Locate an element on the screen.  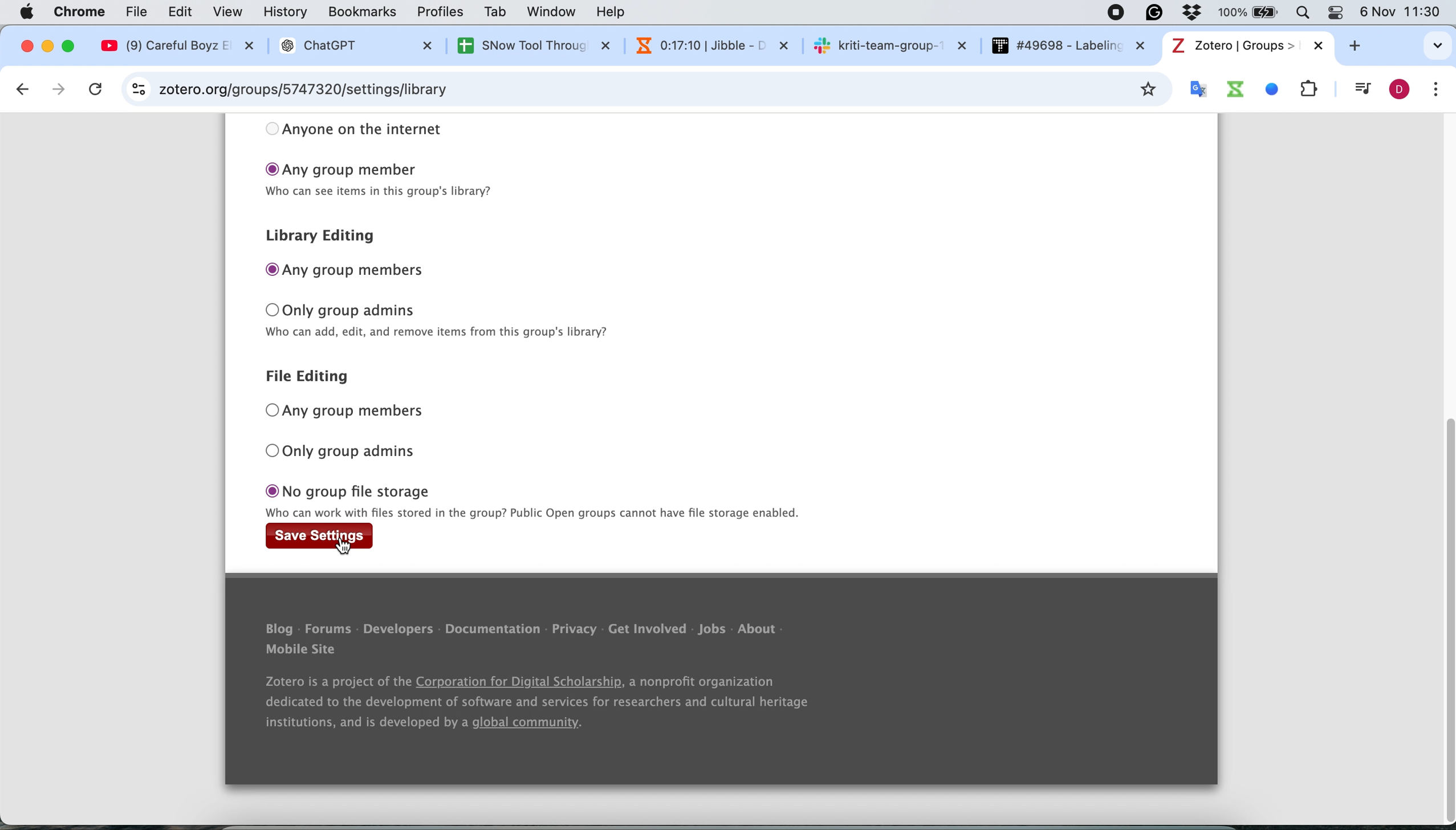
chrome is located at coordinates (82, 11).